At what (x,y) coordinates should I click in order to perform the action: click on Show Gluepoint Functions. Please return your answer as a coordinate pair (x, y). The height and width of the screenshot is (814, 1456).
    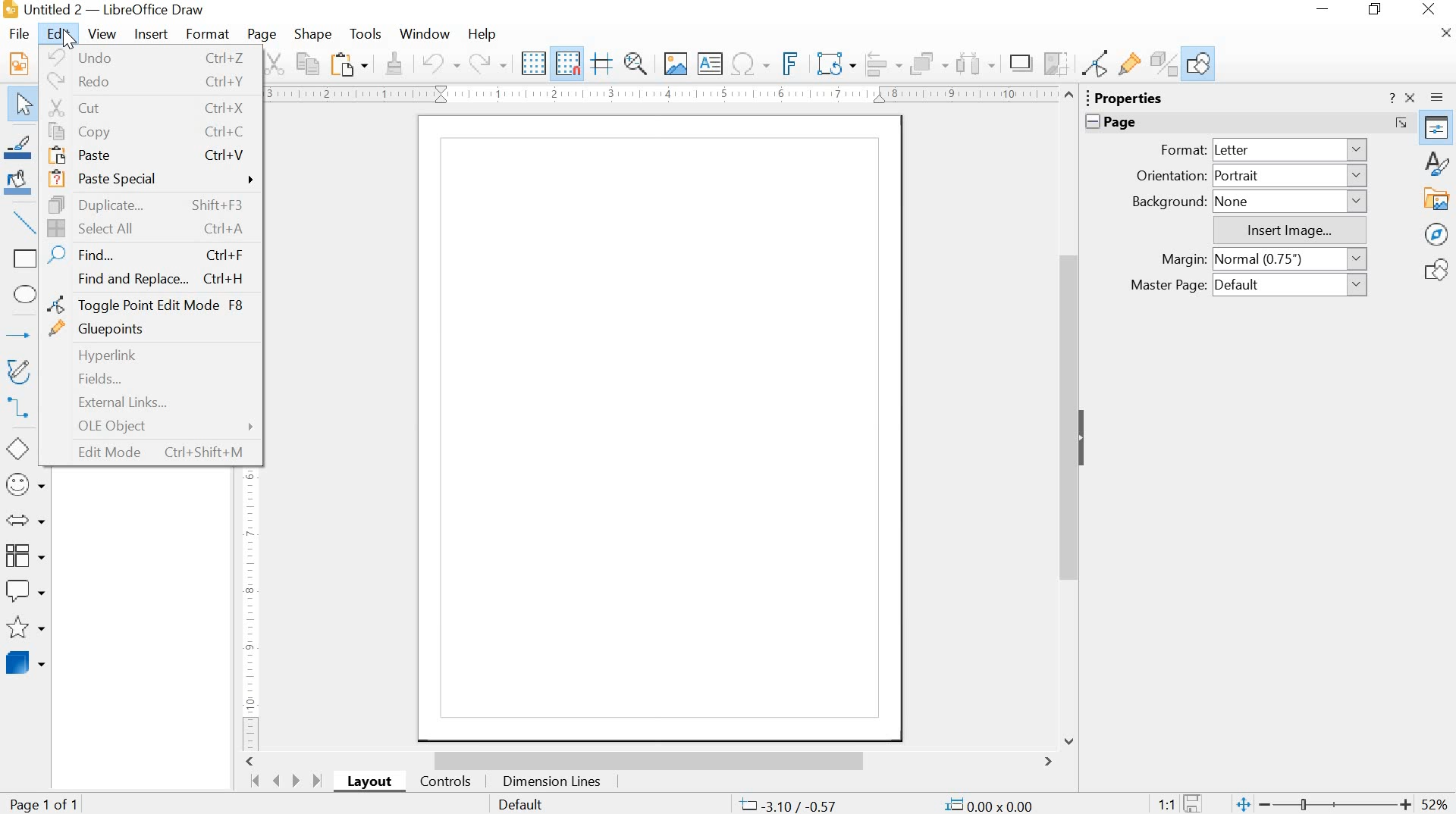
    Looking at the image, I should click on (1131, 64).